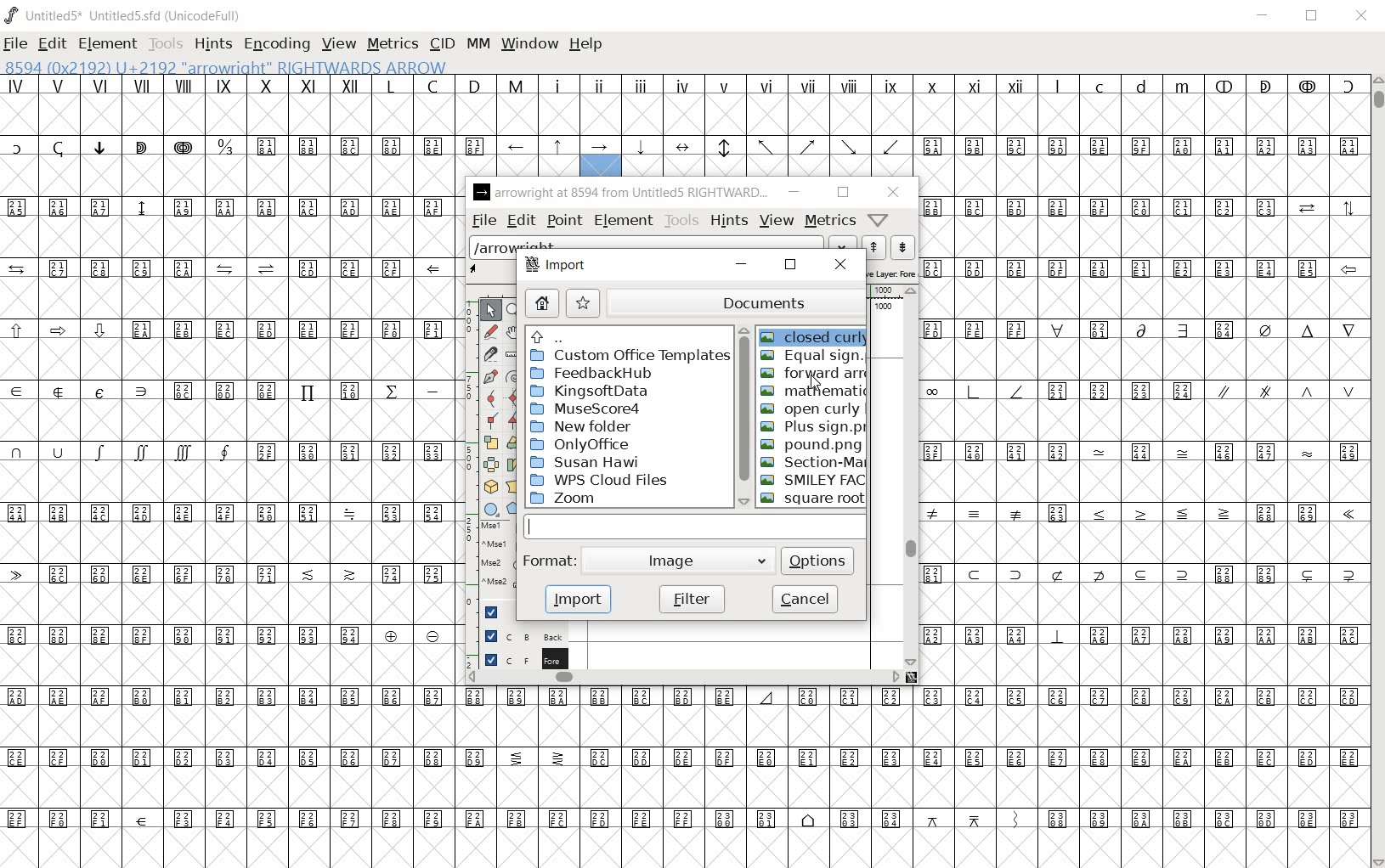 The height and width of the screenshot is (868, 1385). I want to click on forward arrow, so click(815, 374).